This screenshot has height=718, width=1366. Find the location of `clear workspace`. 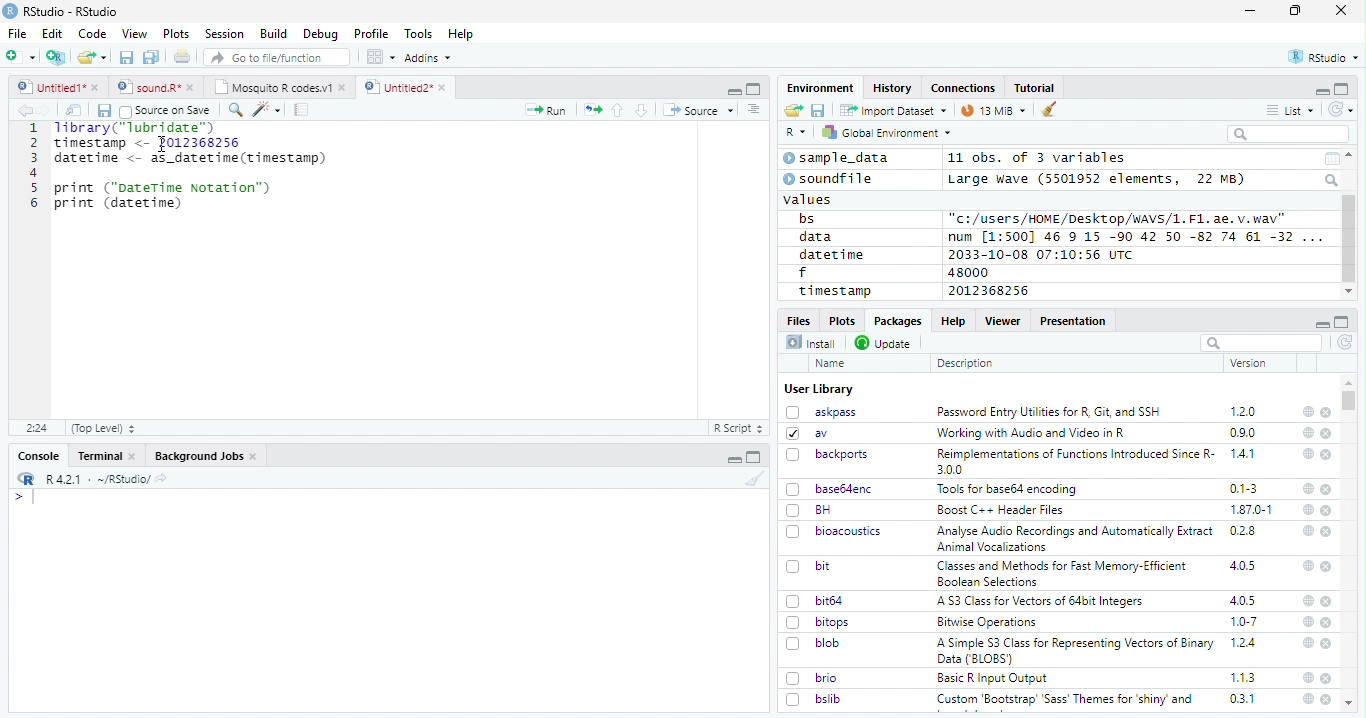

clear workspace is located at coordinates (751, 478).